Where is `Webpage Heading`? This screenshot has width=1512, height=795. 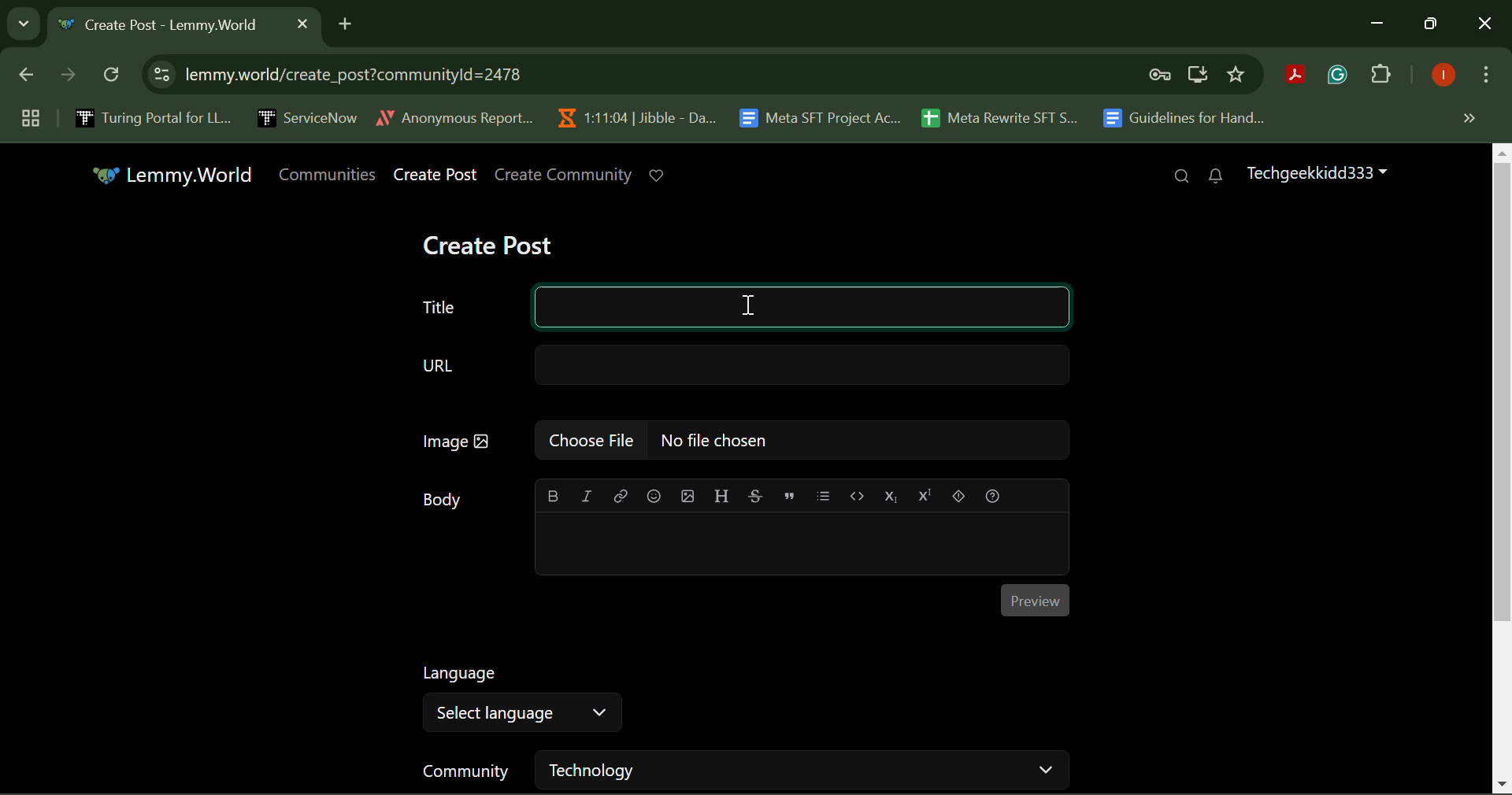 Webpage Heading is located at coordinates (167, 27).